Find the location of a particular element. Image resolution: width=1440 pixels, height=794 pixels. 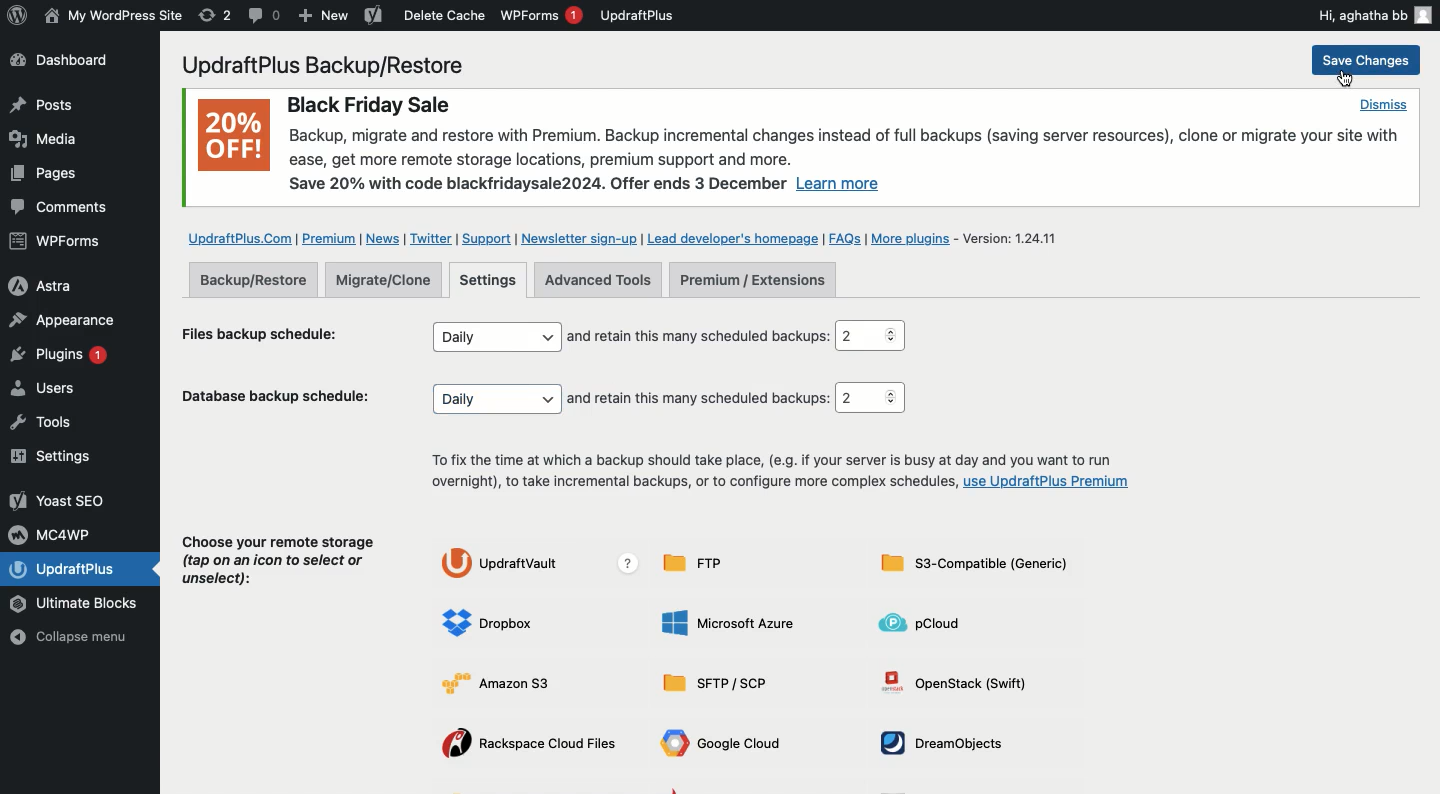

To fix the time at which a backup should take place, (e.g. if your server is busy at day and you want to run
overnight), to take incremental backups, or to configure more complex schedules, use UpdraftPlus Premium is located at coordinates (776, 473).